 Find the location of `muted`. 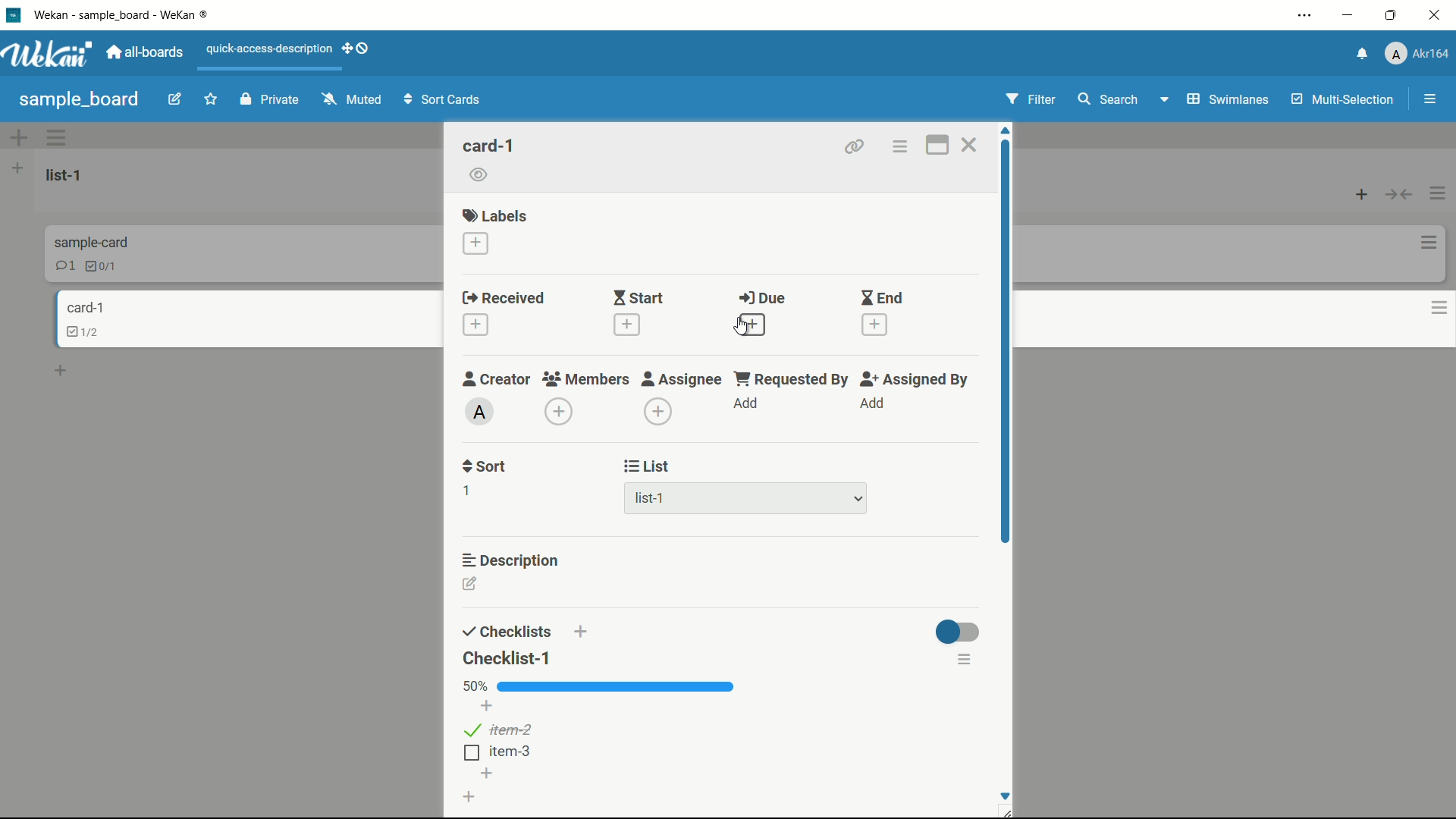

muted is located at coordinates (352, 99).